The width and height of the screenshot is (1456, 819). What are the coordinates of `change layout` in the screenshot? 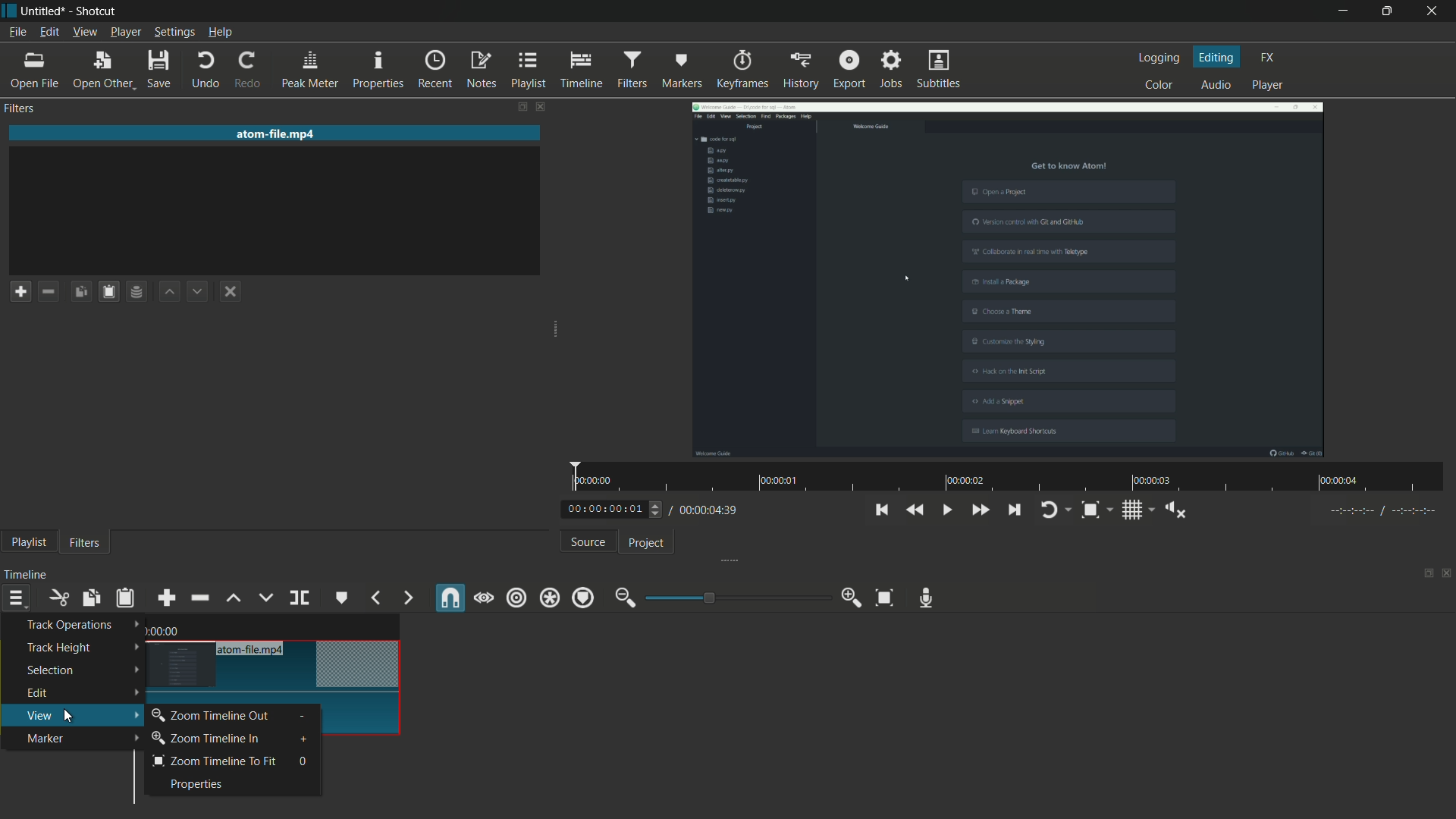 It's located at (1426, 573).